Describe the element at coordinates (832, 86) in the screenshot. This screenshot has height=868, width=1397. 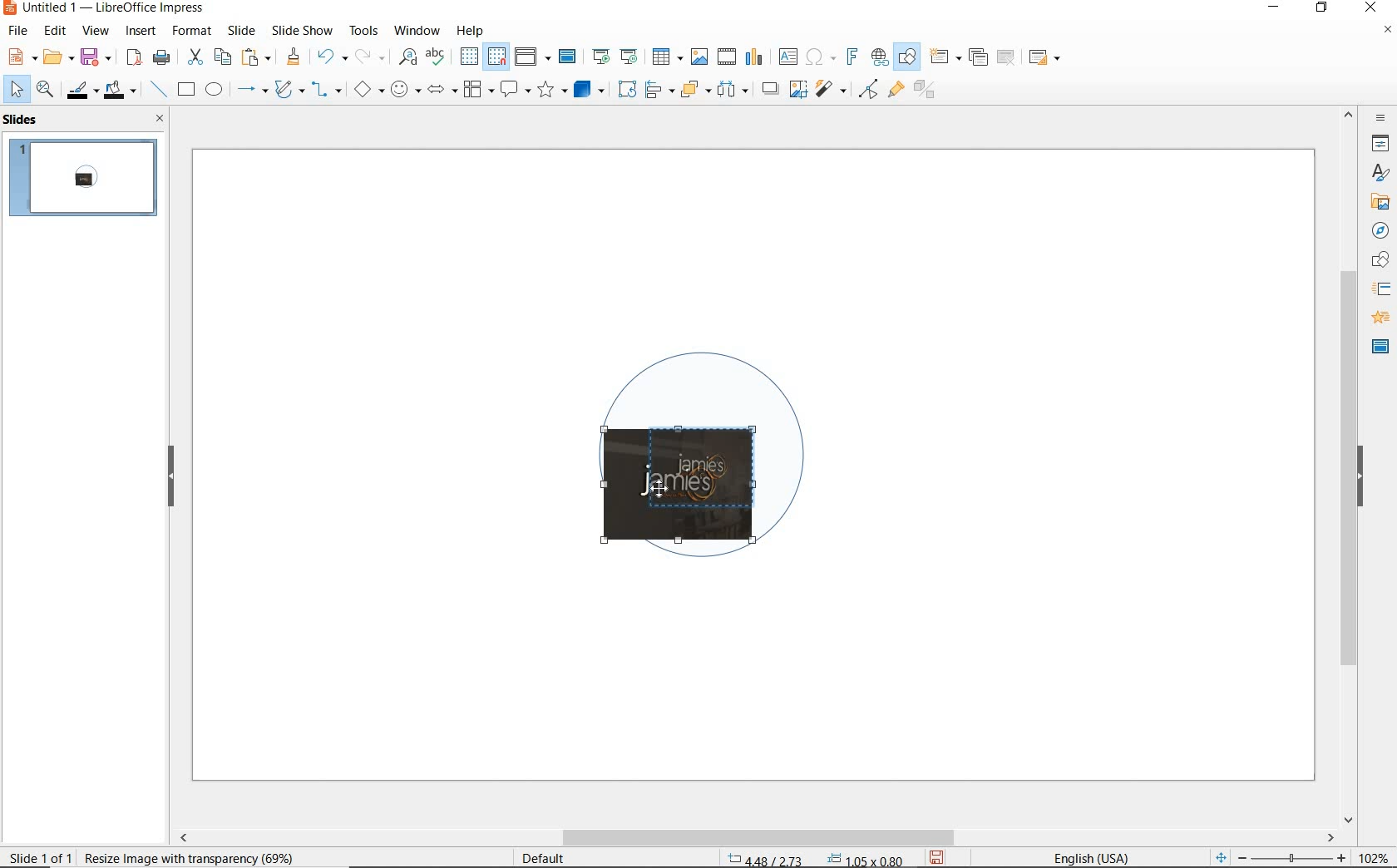
I see `filter` at that location.